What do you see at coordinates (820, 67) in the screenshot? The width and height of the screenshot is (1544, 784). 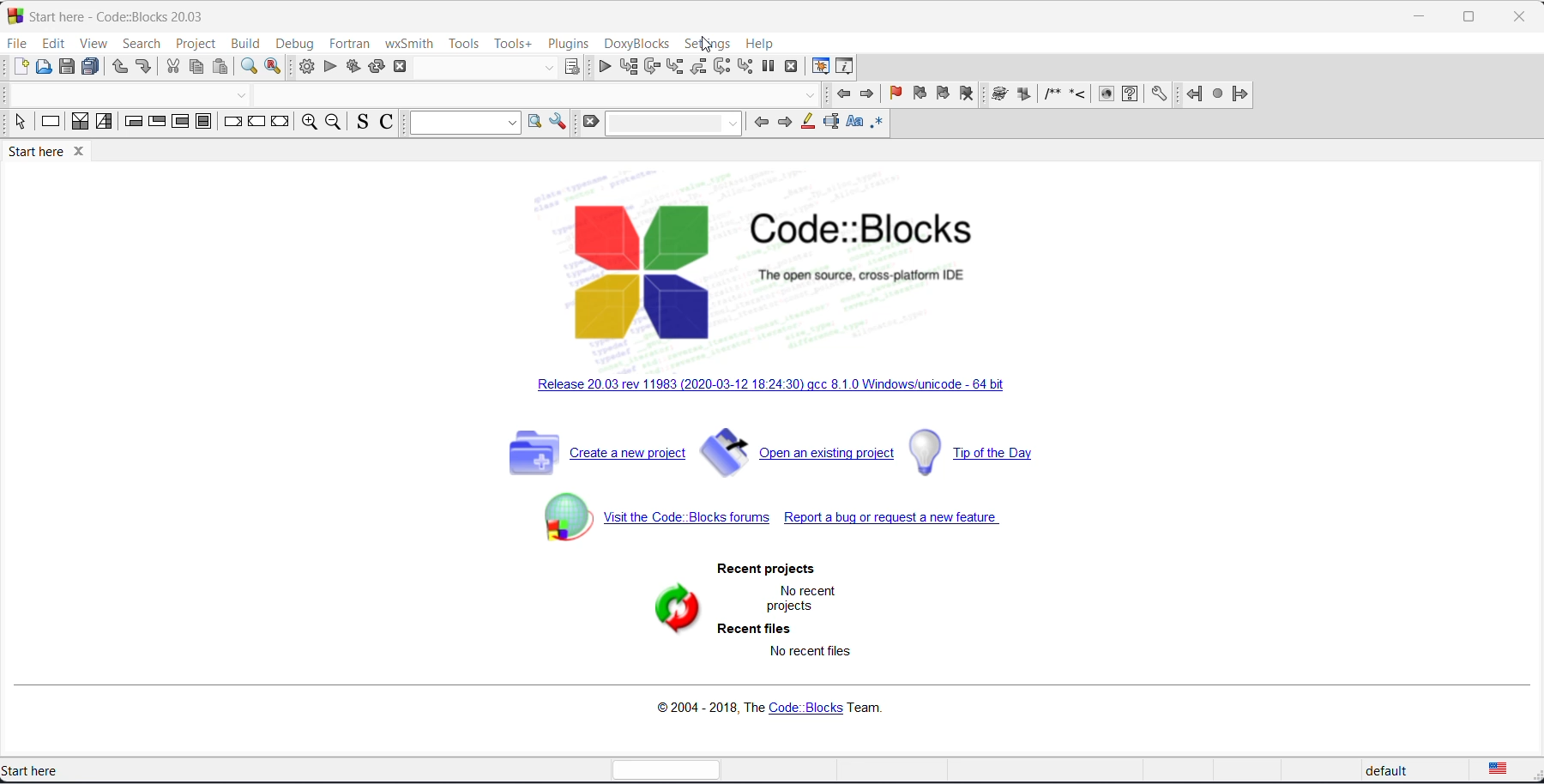 I see `debugger window` at bounding box center [820, 67].